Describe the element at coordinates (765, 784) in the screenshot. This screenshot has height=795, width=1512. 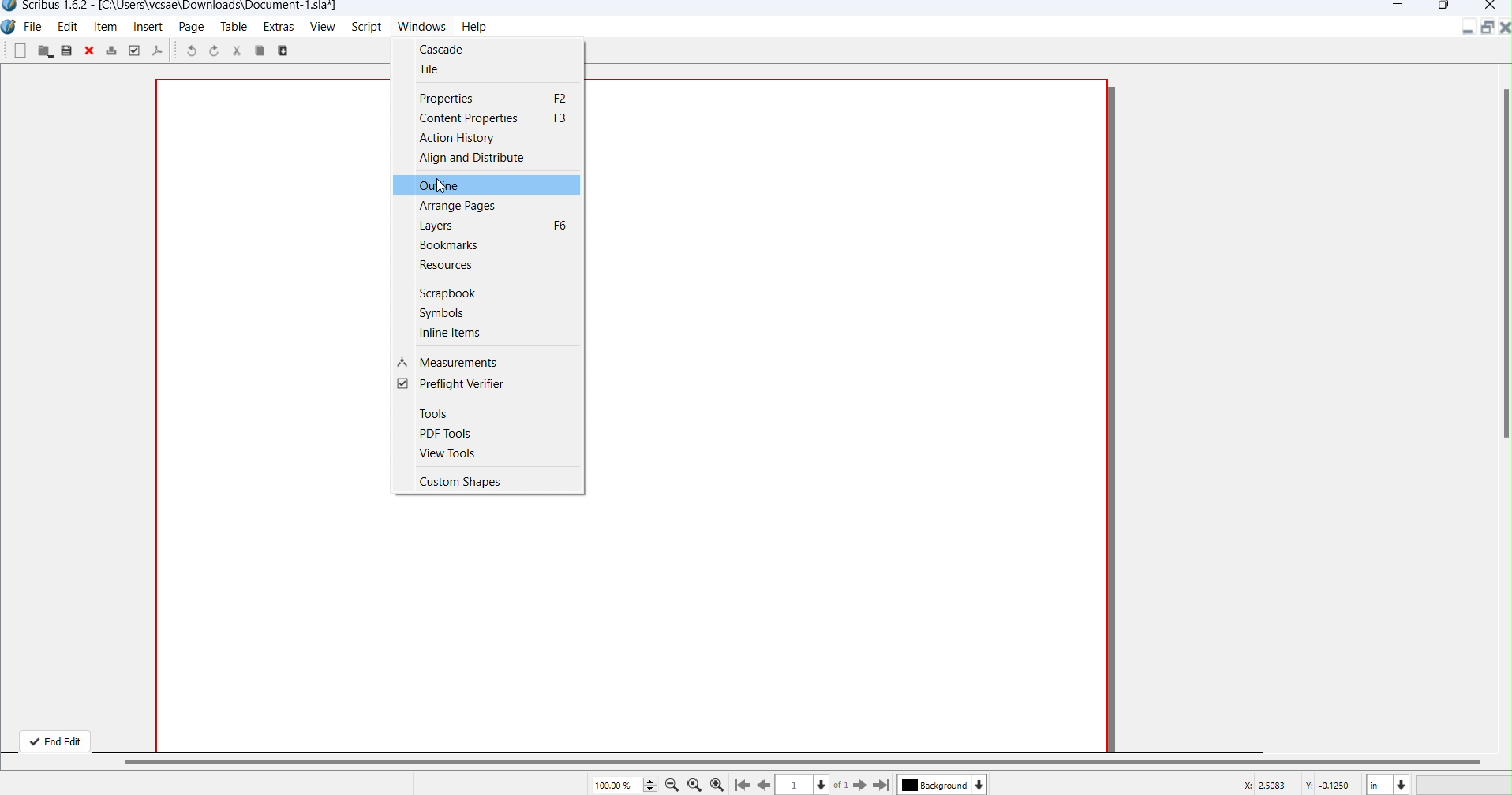
I see `back` at that location.